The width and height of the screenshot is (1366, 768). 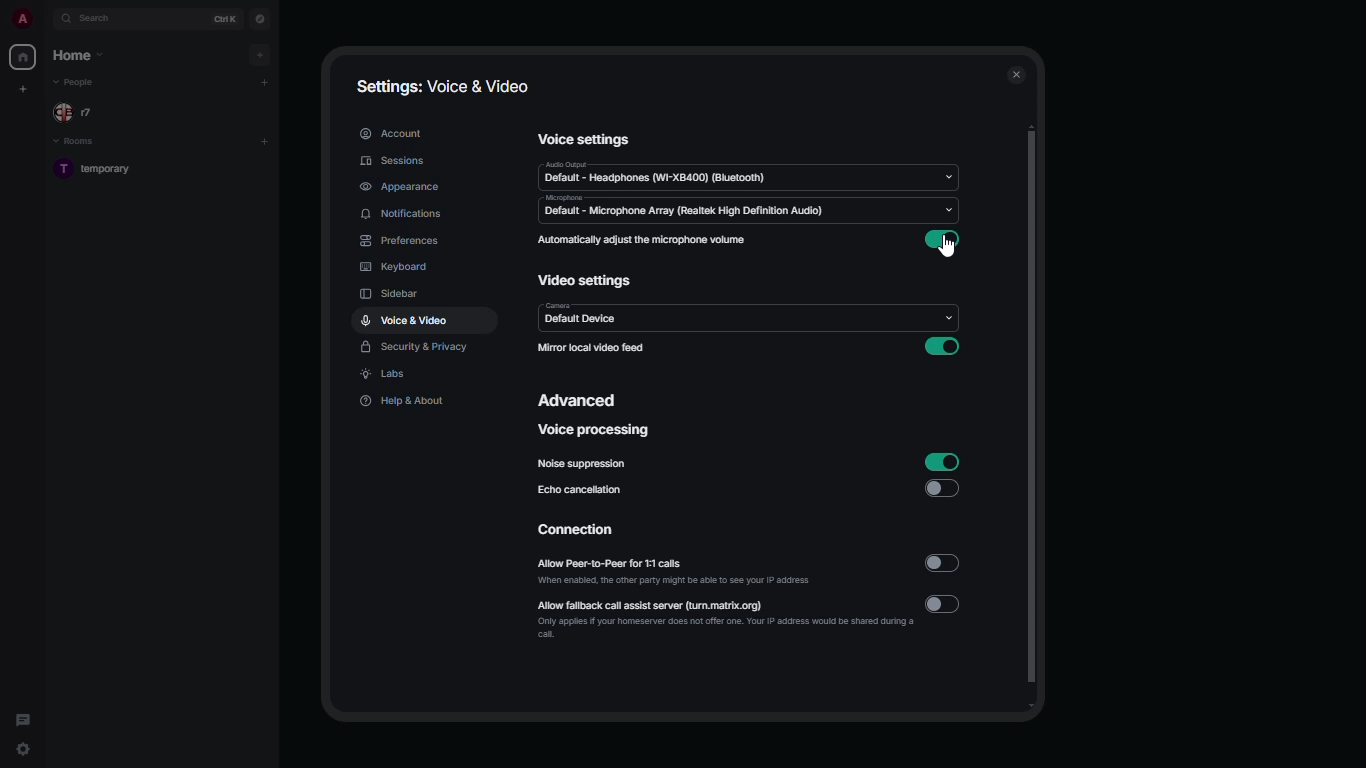 I want to click on enabled, so click(x=941, y=346).